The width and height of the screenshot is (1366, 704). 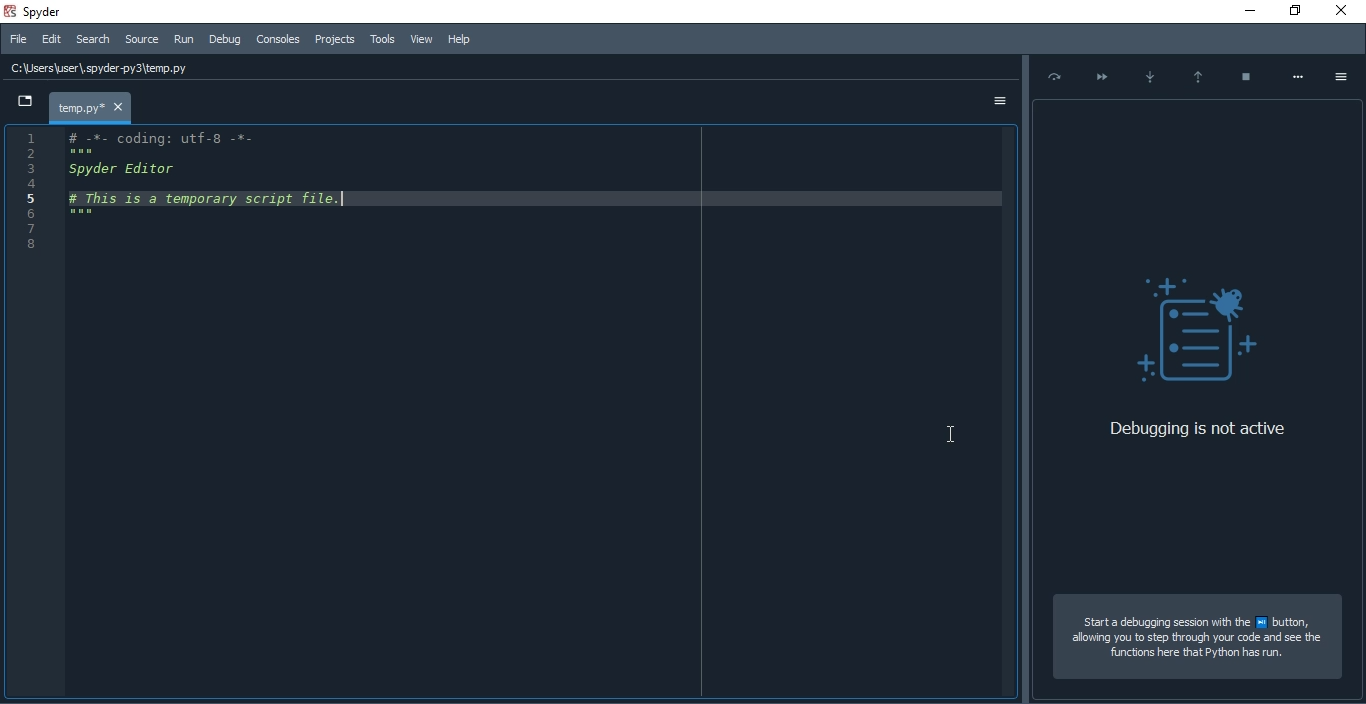 What do you see at coordinates (25, 101) in the screenshot?
I see `dropdown` at bounding box center [25, 101].